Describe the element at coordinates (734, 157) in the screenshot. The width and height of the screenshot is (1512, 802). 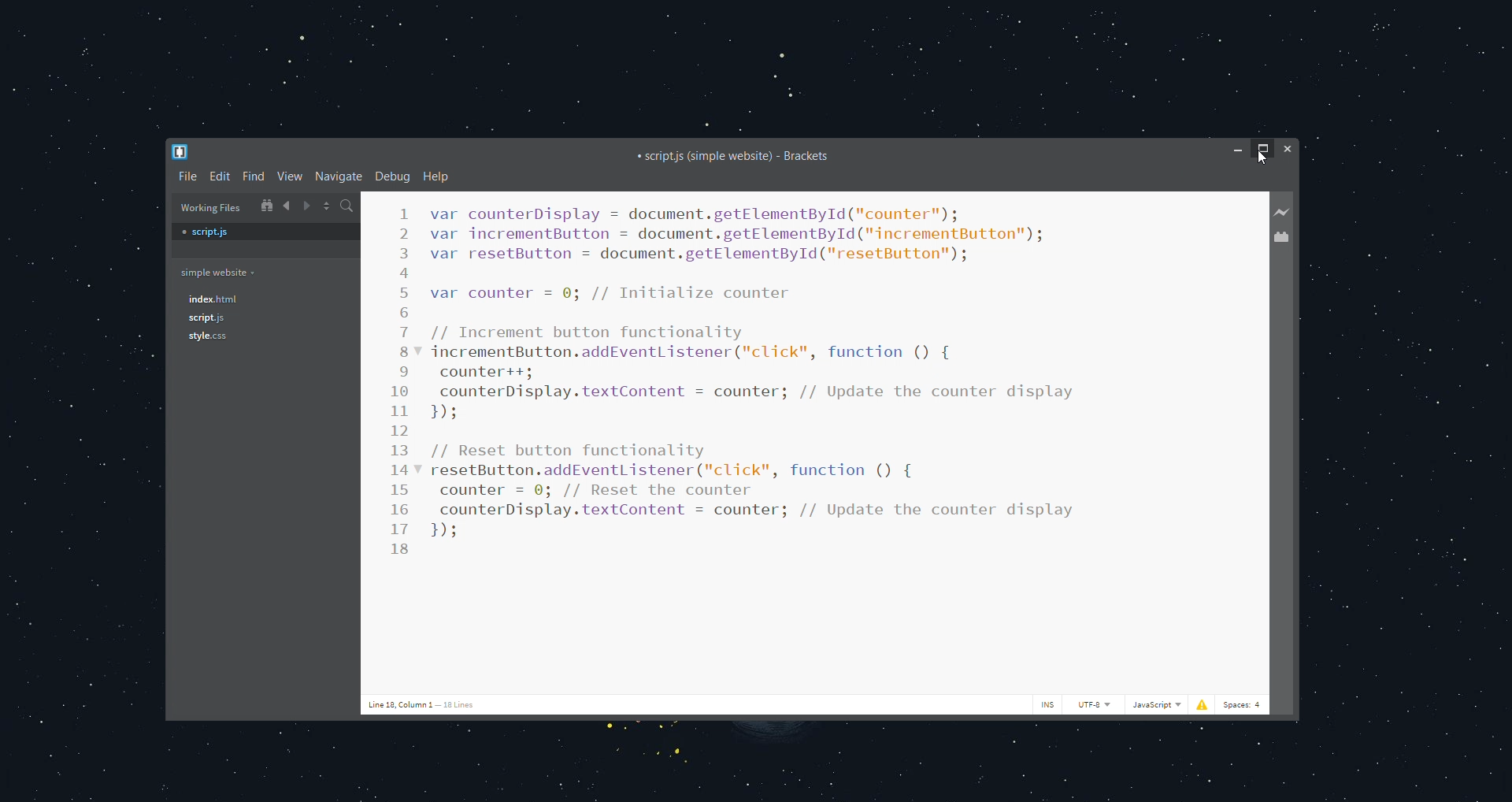
I see `« scriptjs (simple website) - Brackets` at that location.